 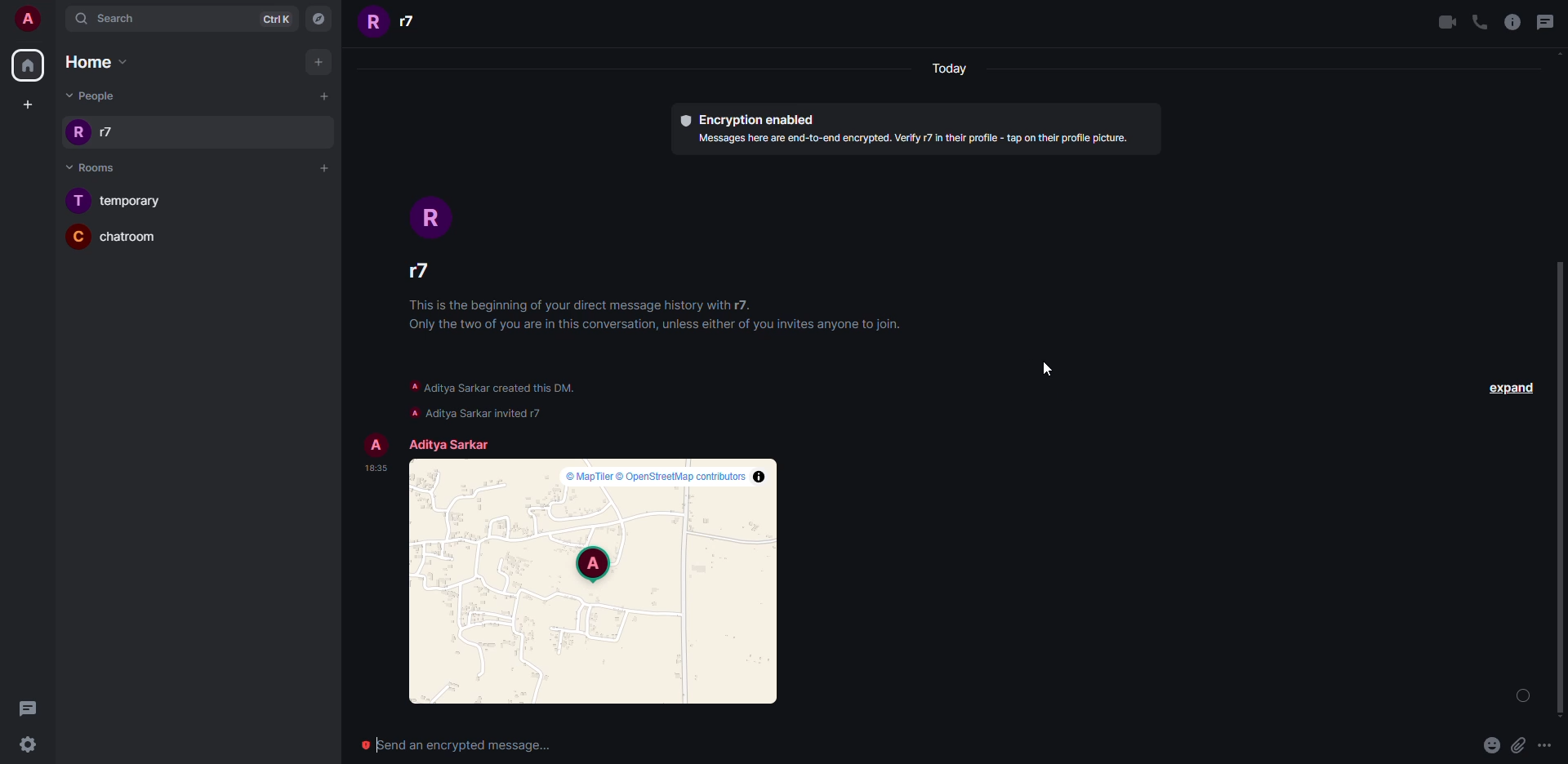 What do you see at coordinates (116, 201) in the screenshot?
I see `Temporary` at bounding box center [116, 201].